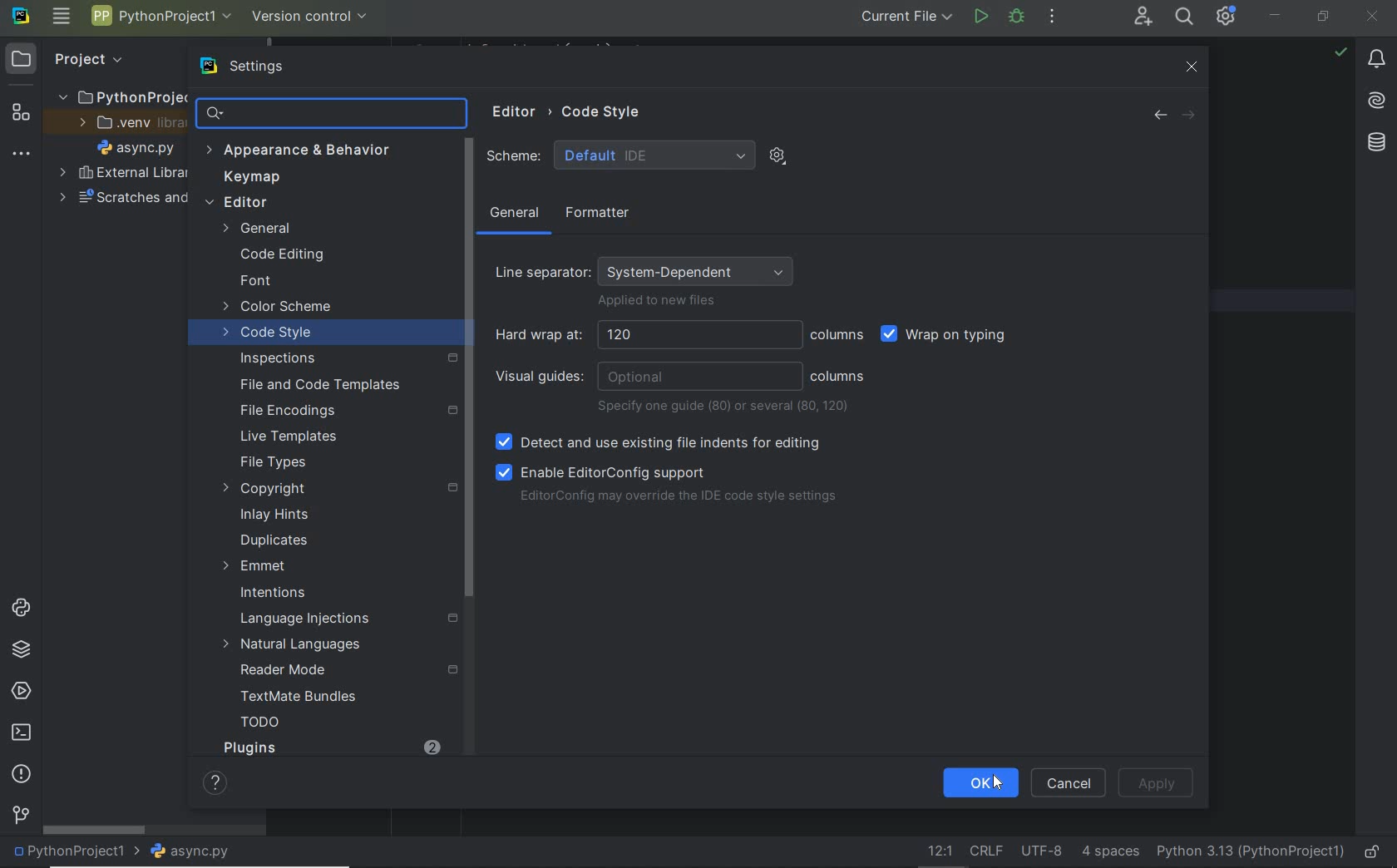 The width and height of the screenshot is (1397, 868). I want to click on Emmet, so click(254, 566).